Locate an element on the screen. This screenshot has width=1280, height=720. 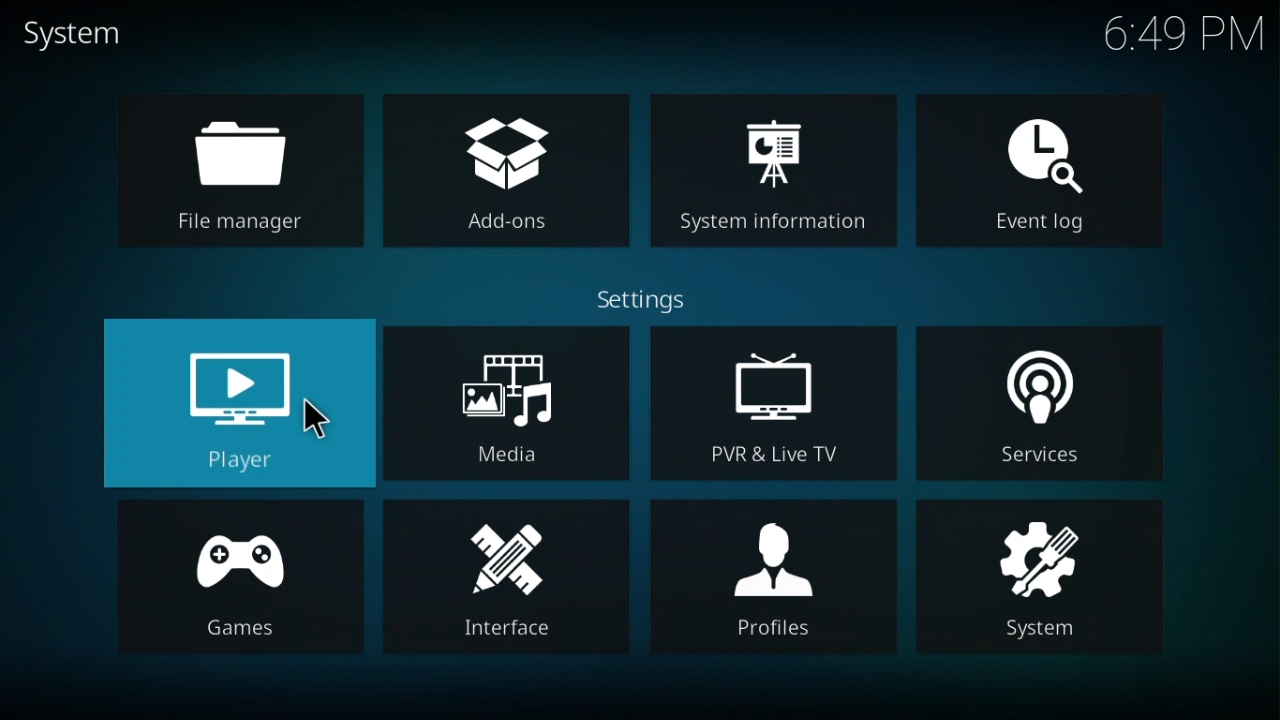
Interface is located at coordinates (499, 580).